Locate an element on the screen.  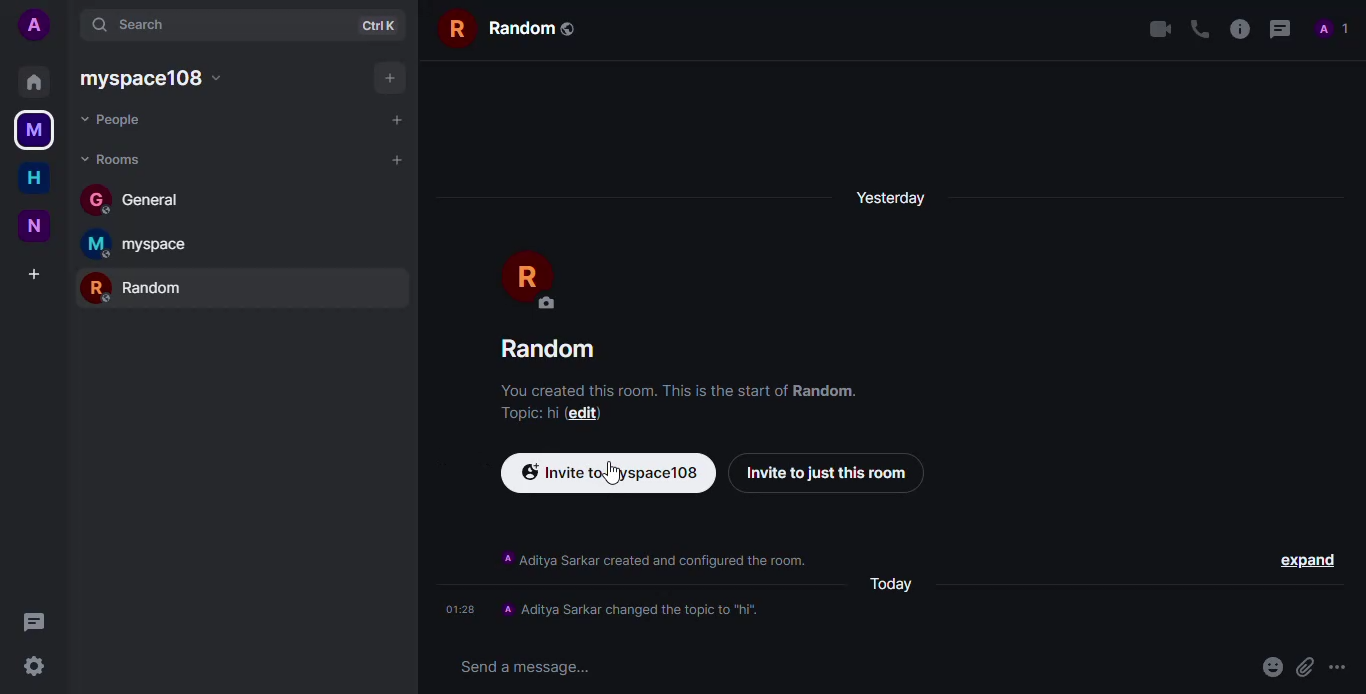
expand is located at coordinates (1306, 559).